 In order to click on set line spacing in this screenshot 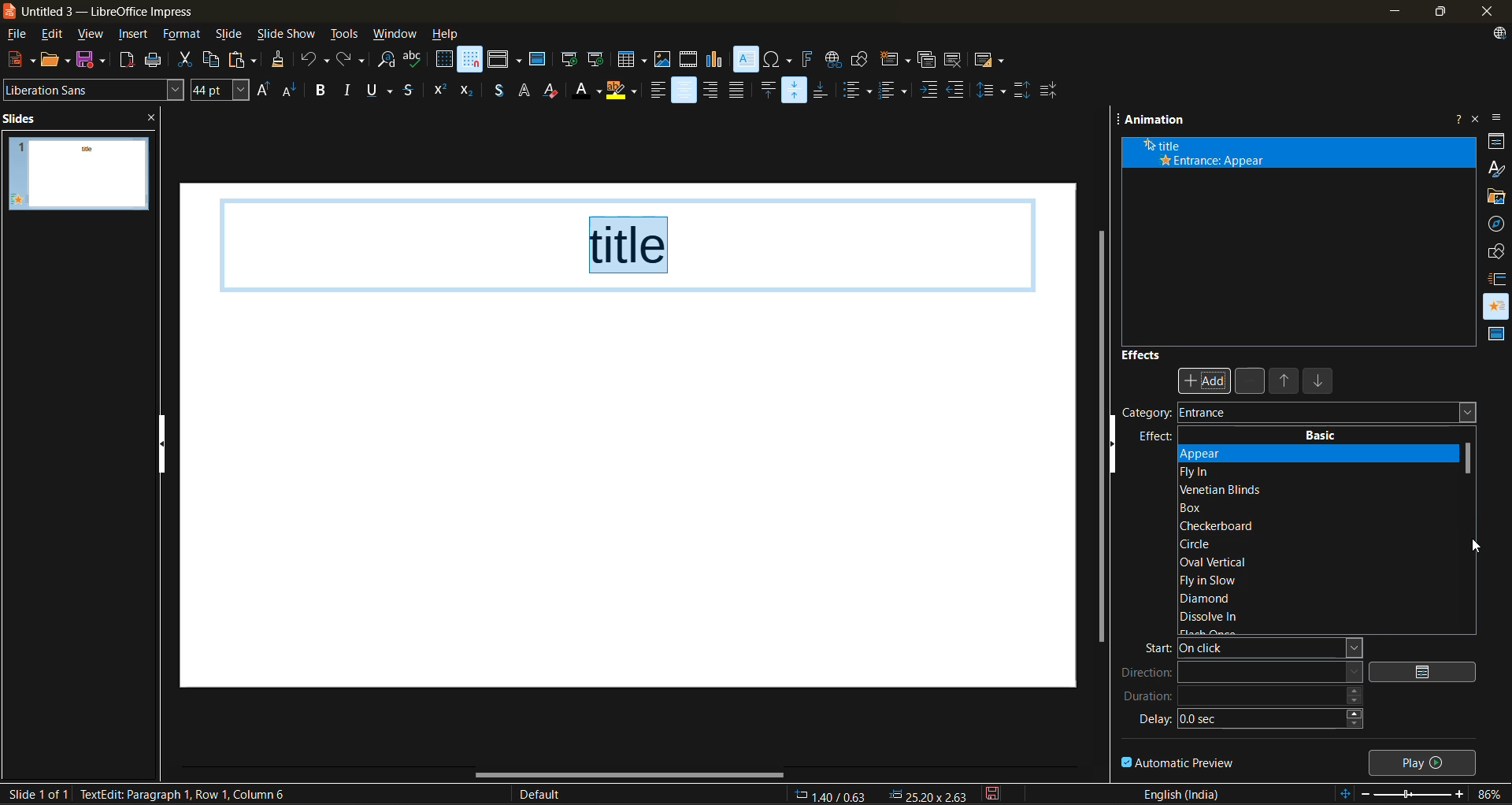, I will do `click(992, 89)`.